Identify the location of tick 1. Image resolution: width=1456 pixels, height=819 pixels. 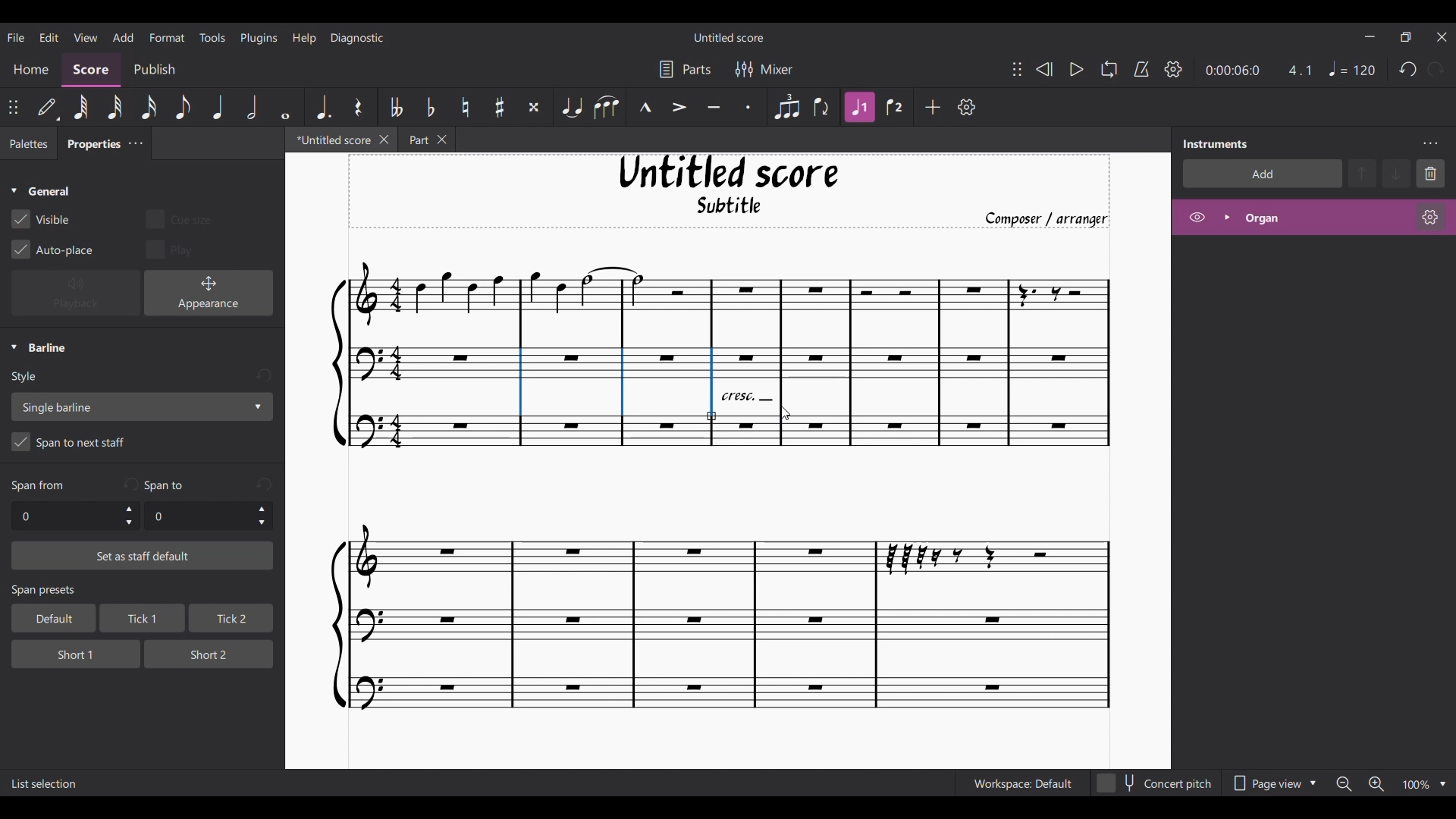
(140, 620).